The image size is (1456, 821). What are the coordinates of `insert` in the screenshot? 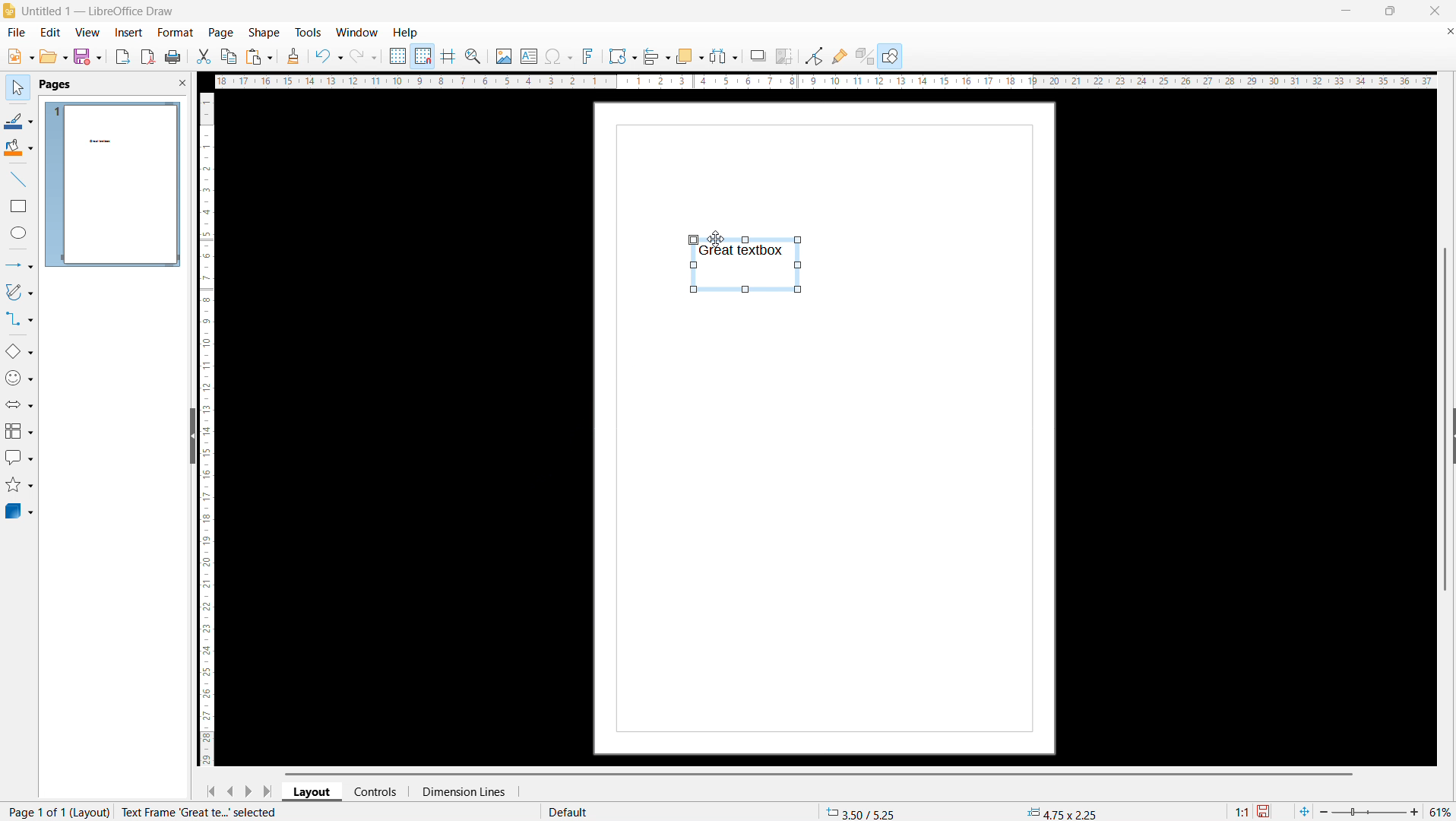 It's located at (128, 33).